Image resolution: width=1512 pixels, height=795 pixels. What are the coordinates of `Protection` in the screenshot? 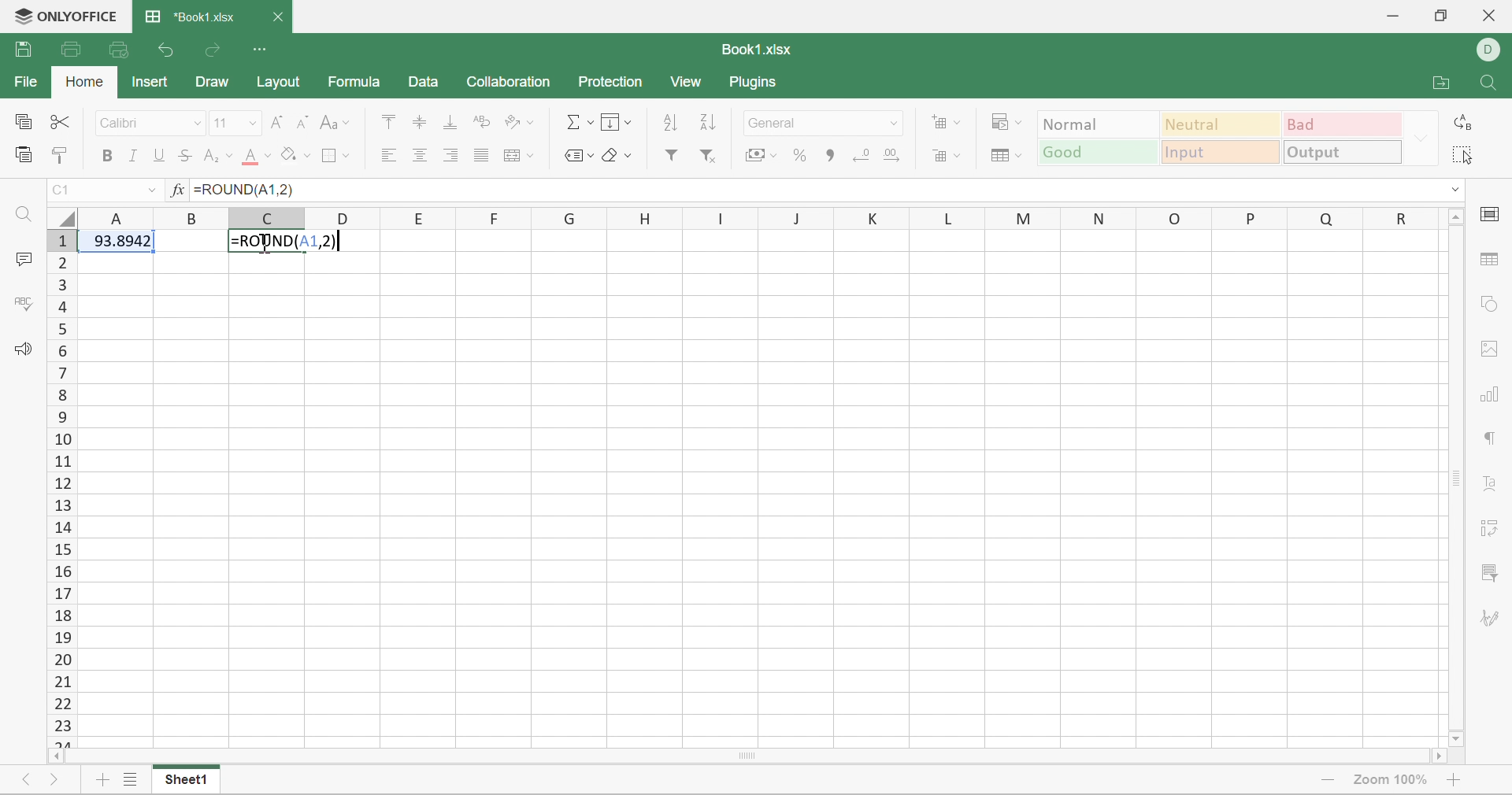 It's located at (612, 81).